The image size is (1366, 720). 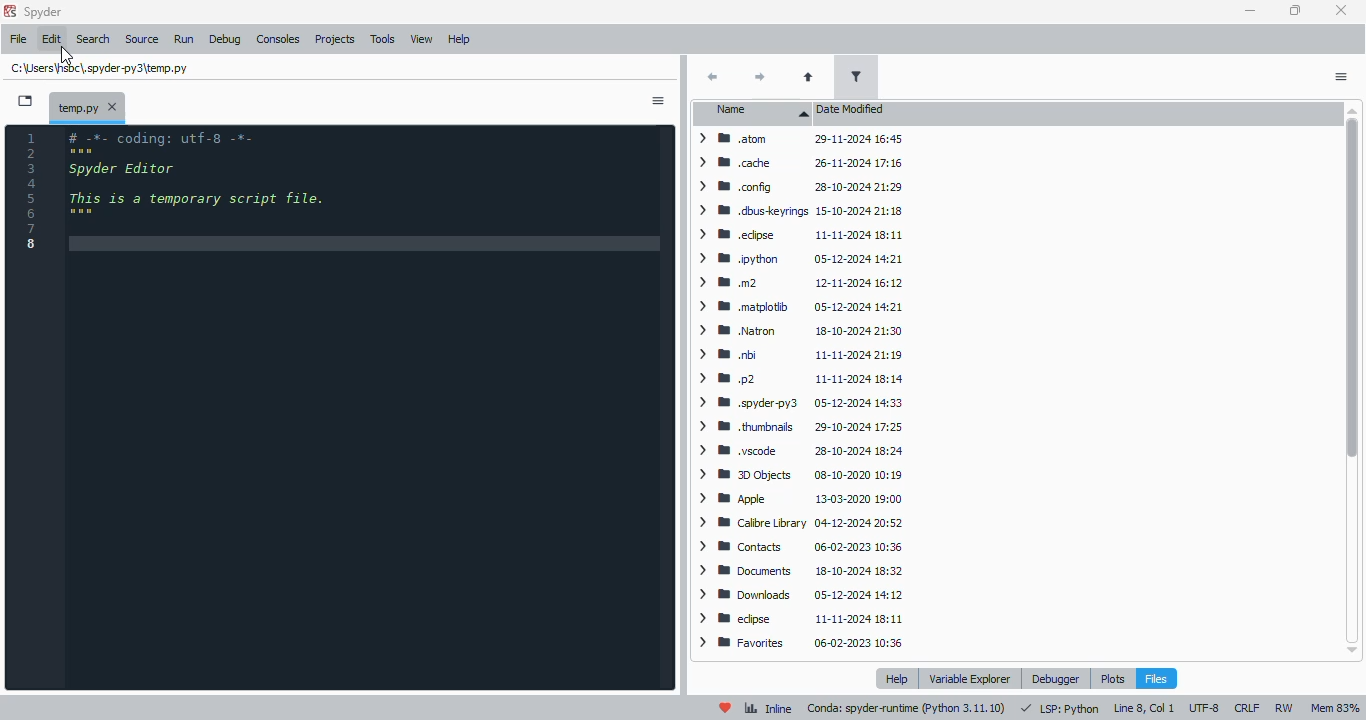 I want to click on temporary file, so click(x=101, y=67).